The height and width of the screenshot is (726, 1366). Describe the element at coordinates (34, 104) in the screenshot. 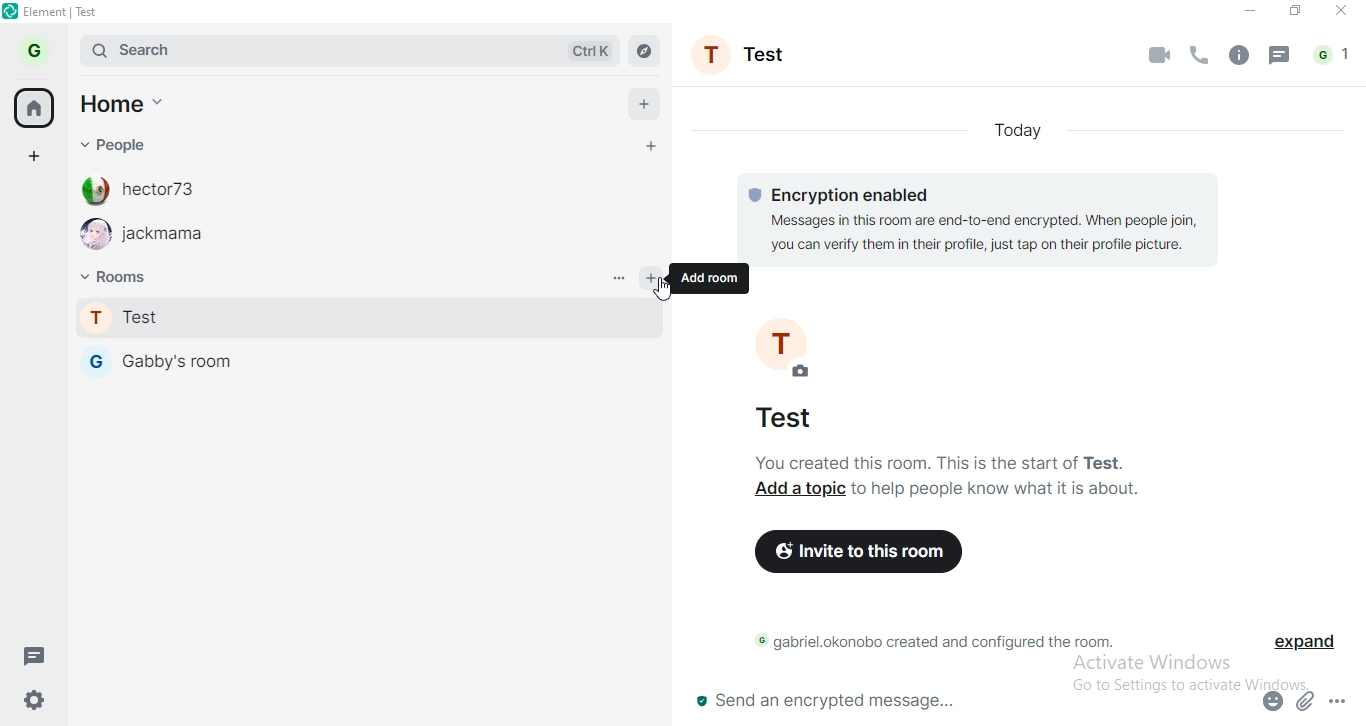

I see `home` at that location.